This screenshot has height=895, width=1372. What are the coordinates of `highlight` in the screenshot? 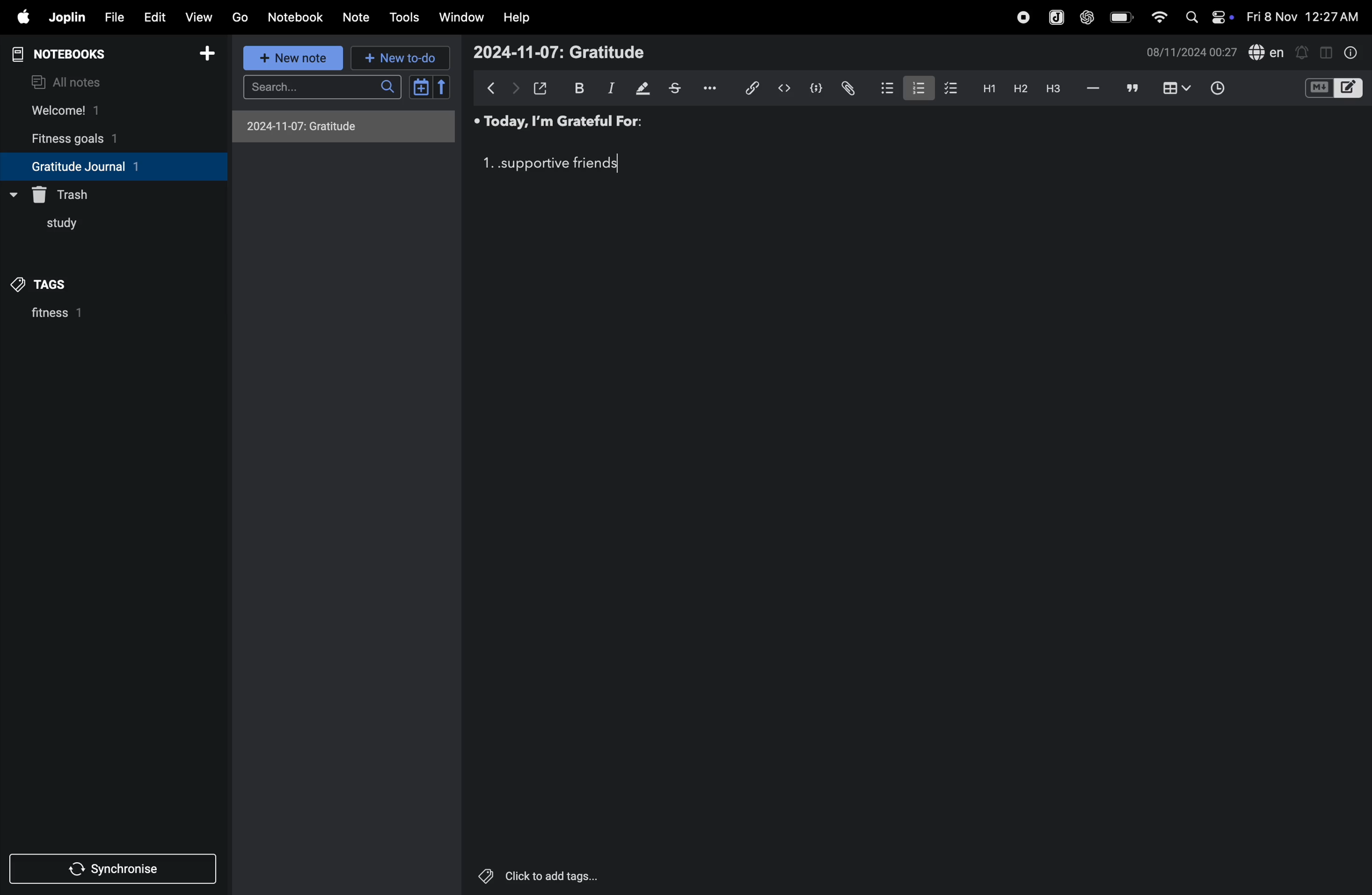 It's located at (643, 88).